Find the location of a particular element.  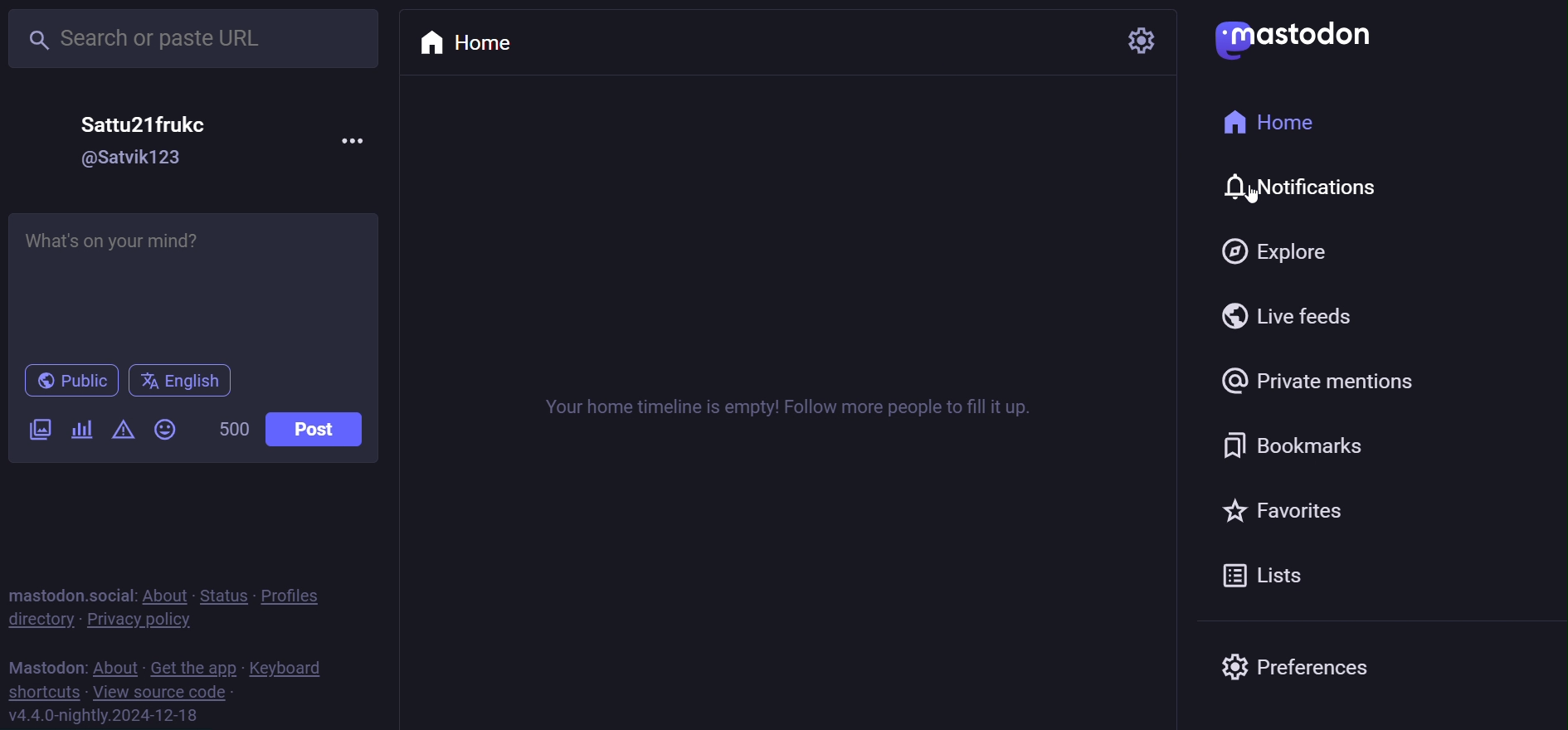

home is located at coordinates (1281, 123).